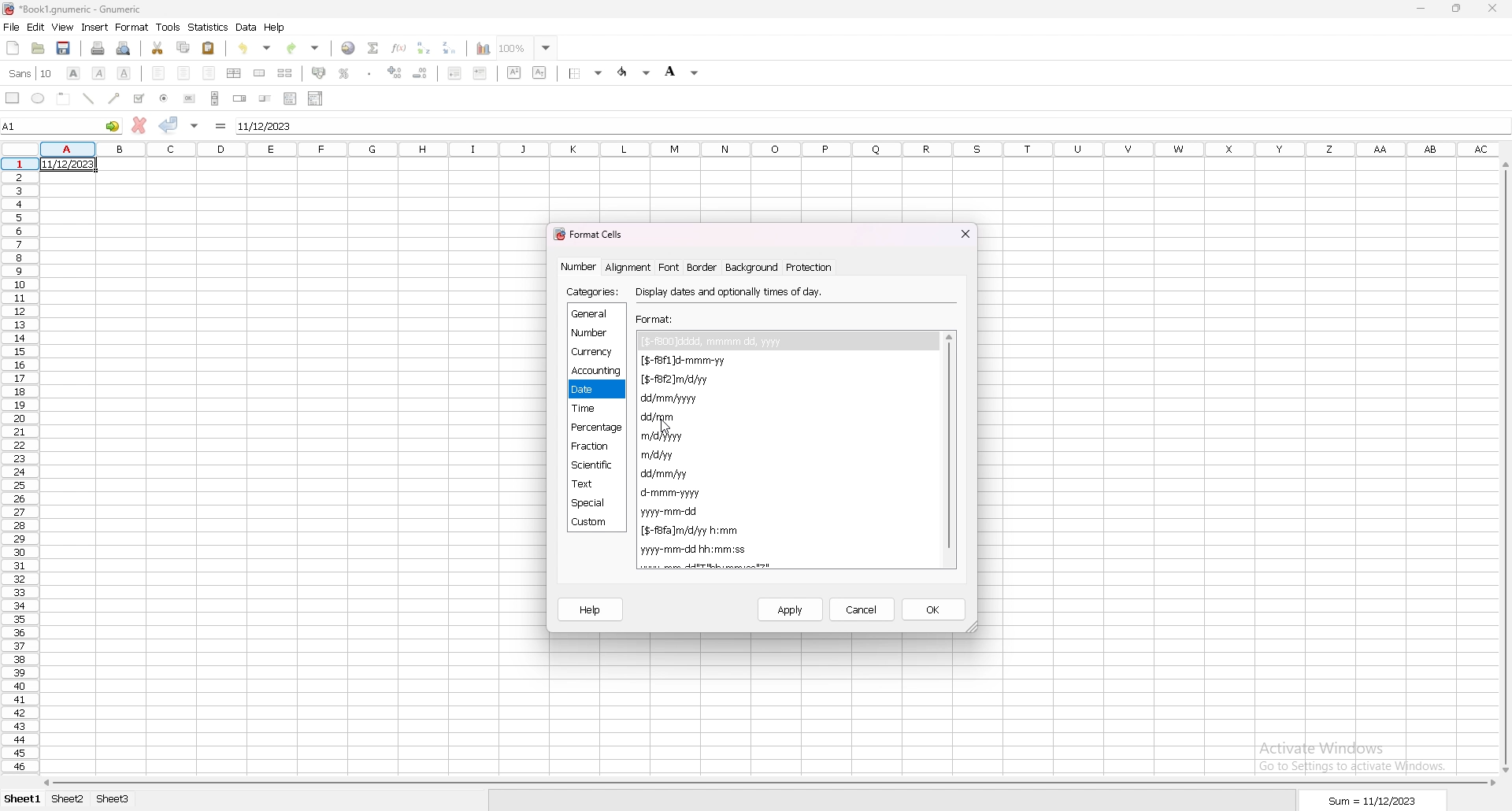  I want to click on special, so click(595, 503).